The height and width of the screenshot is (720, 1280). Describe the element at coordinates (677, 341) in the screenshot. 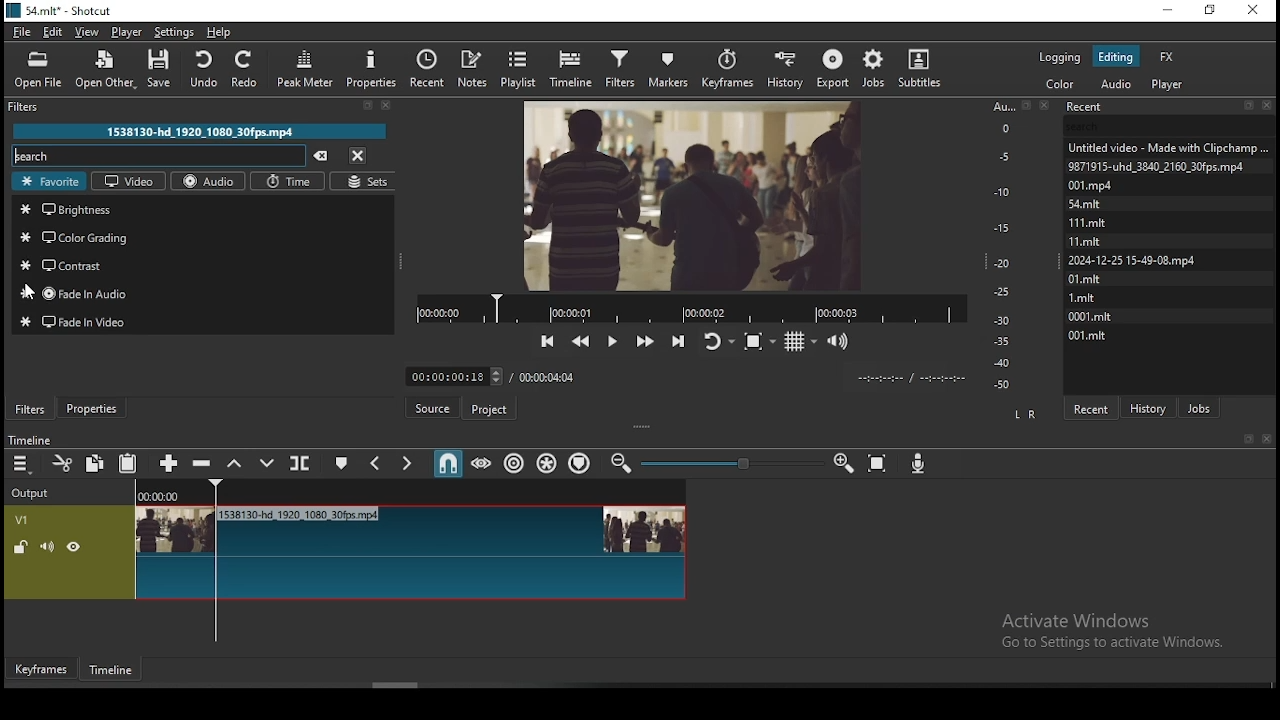

I see `skip to the next point` at that location.